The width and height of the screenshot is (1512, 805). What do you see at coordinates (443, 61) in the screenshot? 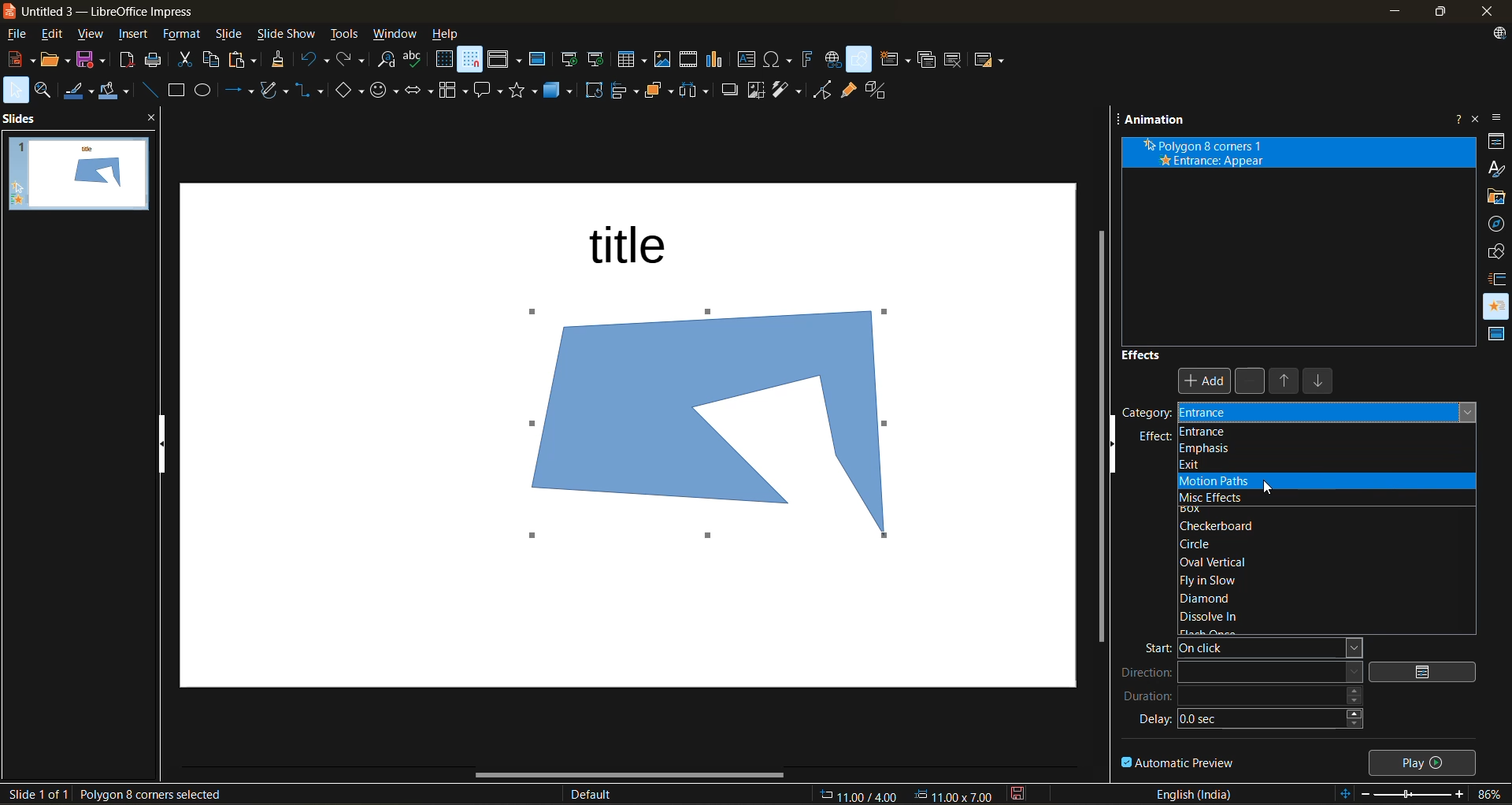
I see `display grid` at bounding box center [443, 61].